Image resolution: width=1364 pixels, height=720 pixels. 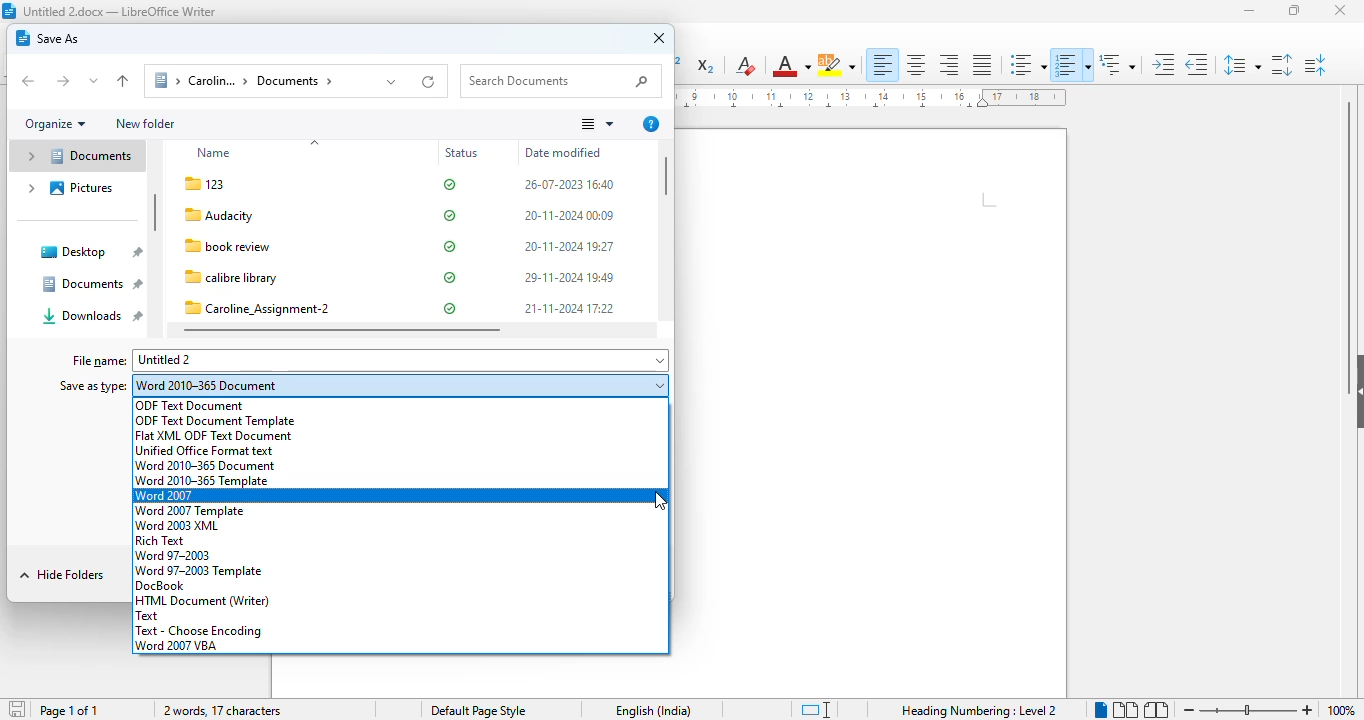 I want to click on recent locations, so click(x=94, y=81).